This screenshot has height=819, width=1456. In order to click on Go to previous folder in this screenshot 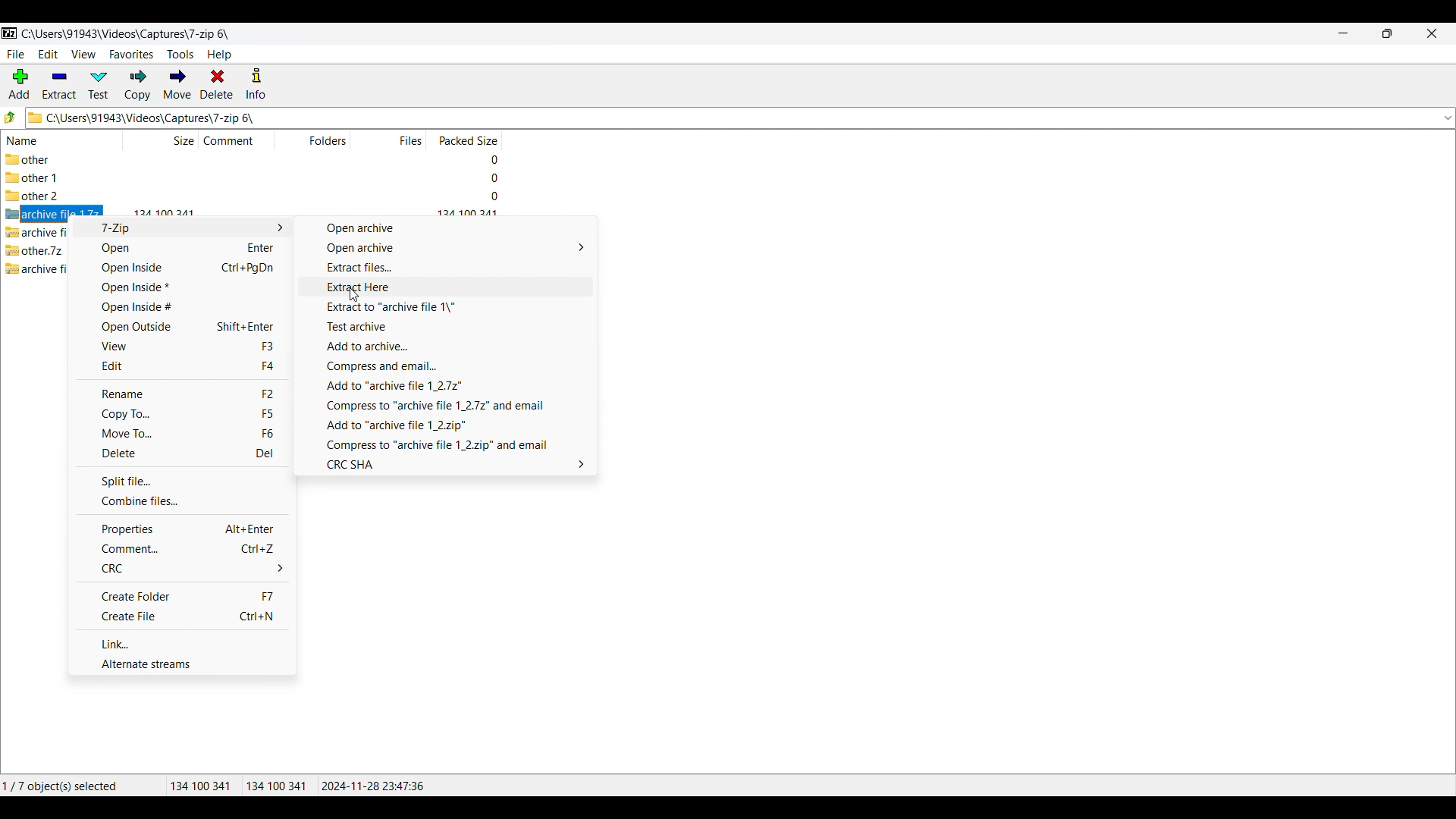, I will do `click(11, 117)`.